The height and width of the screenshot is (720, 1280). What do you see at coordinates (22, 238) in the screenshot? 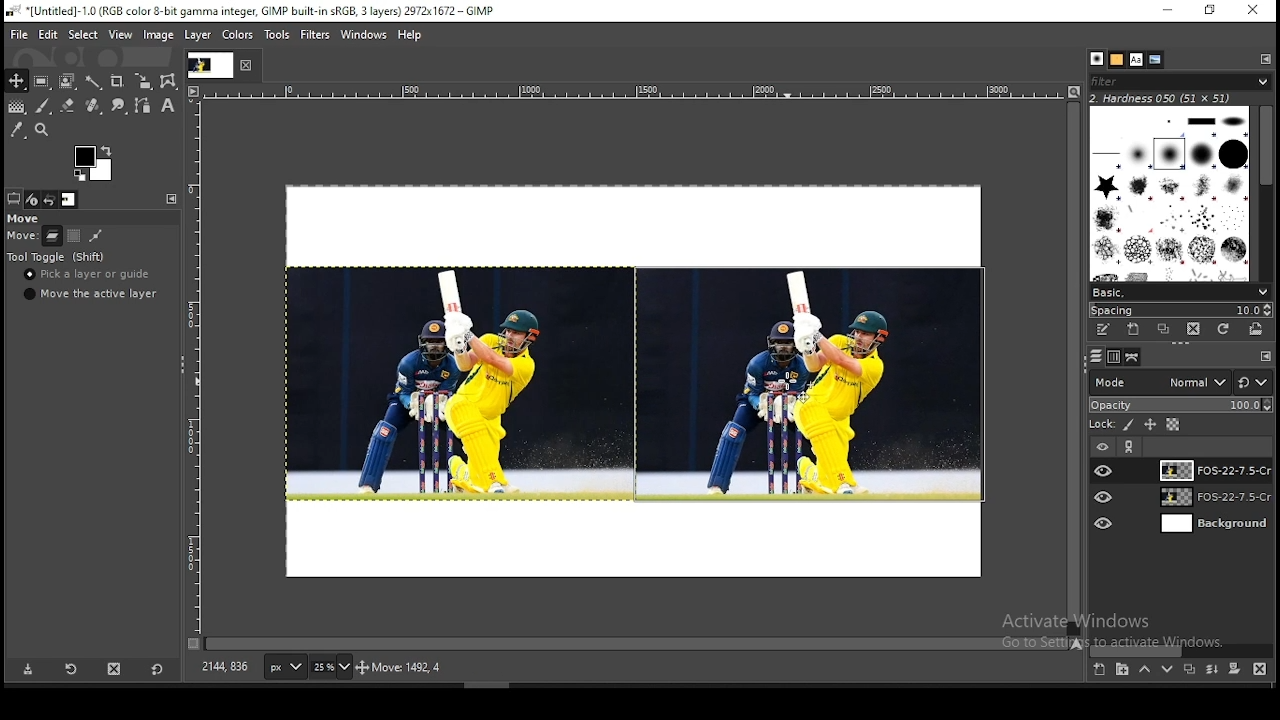
I see `move` at bounding box center [22, 238].